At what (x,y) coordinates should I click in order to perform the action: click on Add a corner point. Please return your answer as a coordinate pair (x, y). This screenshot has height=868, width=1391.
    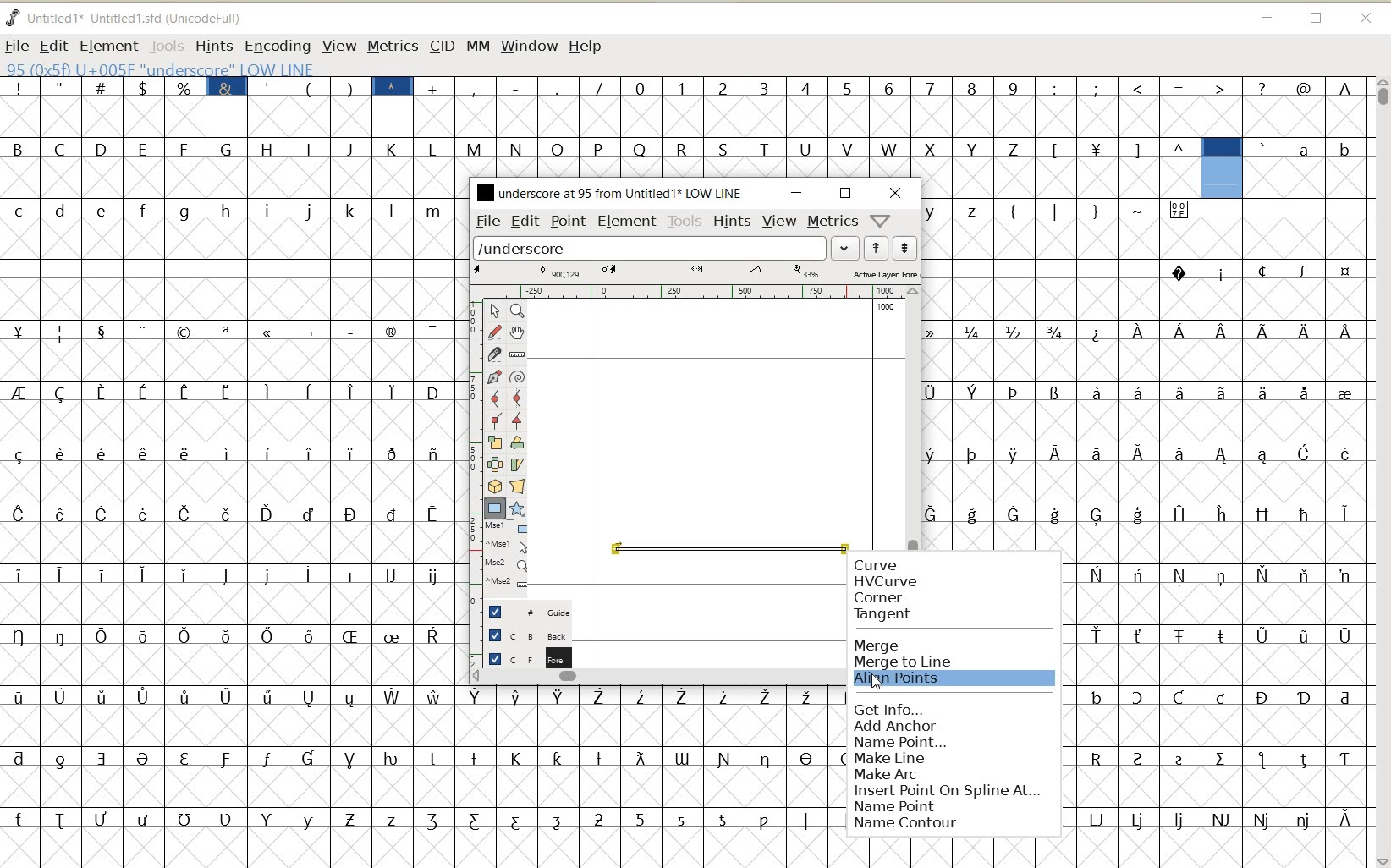
    Looking at the image, I should click on (518, 420).